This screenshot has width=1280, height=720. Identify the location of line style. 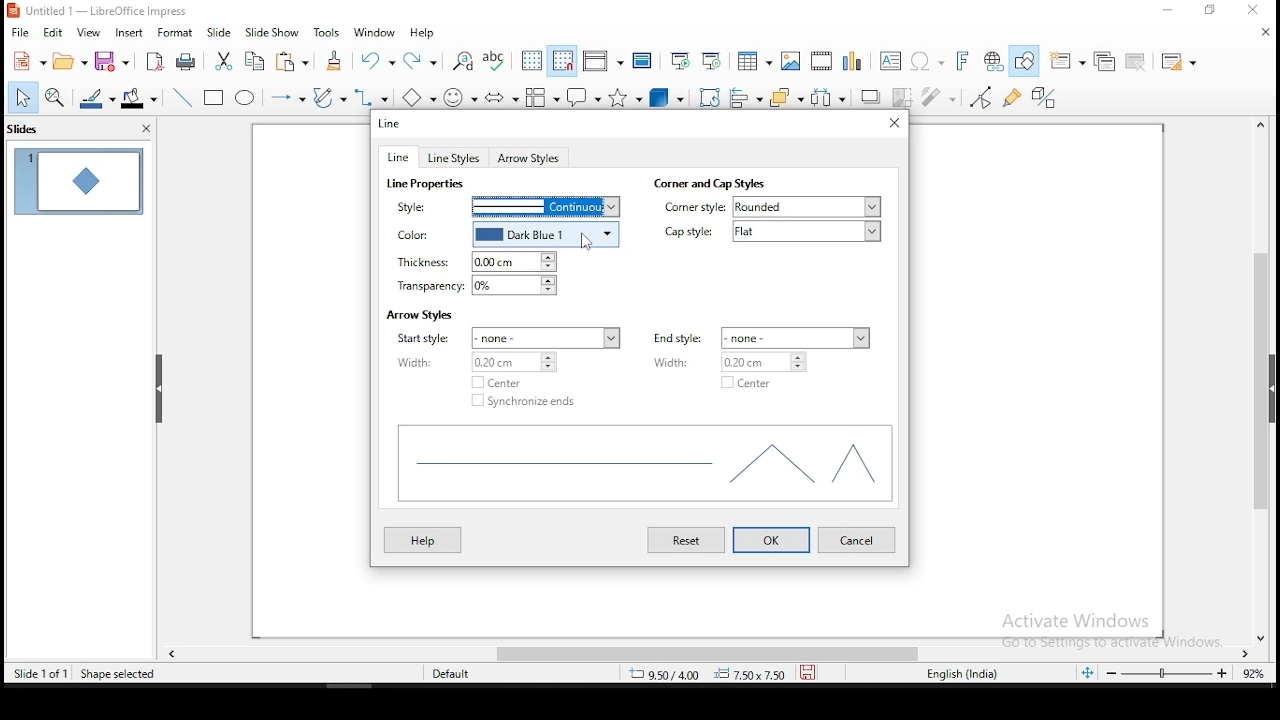
(428, 206).